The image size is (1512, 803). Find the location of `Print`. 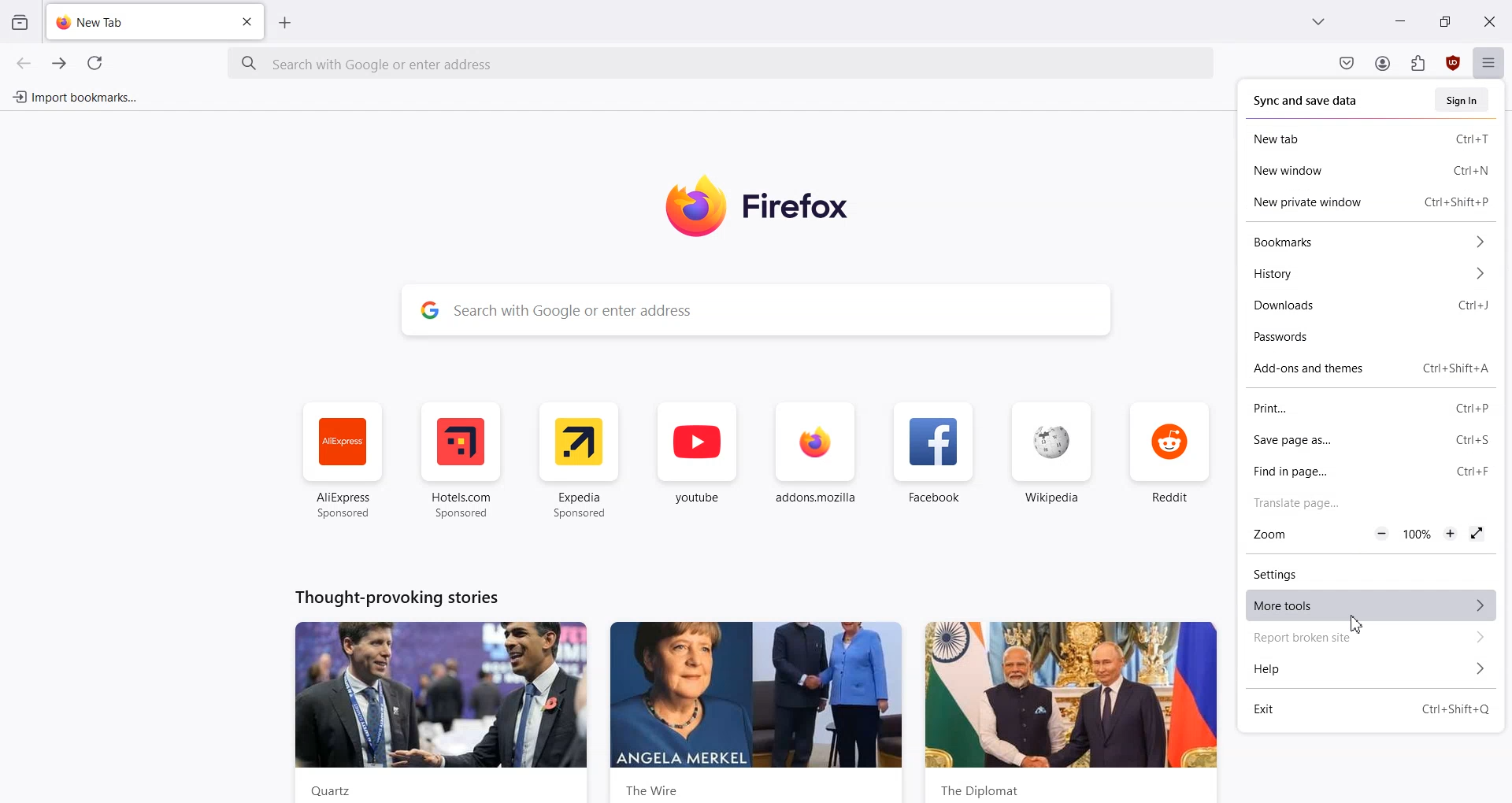

Print is located at coordinates (1334, 409).